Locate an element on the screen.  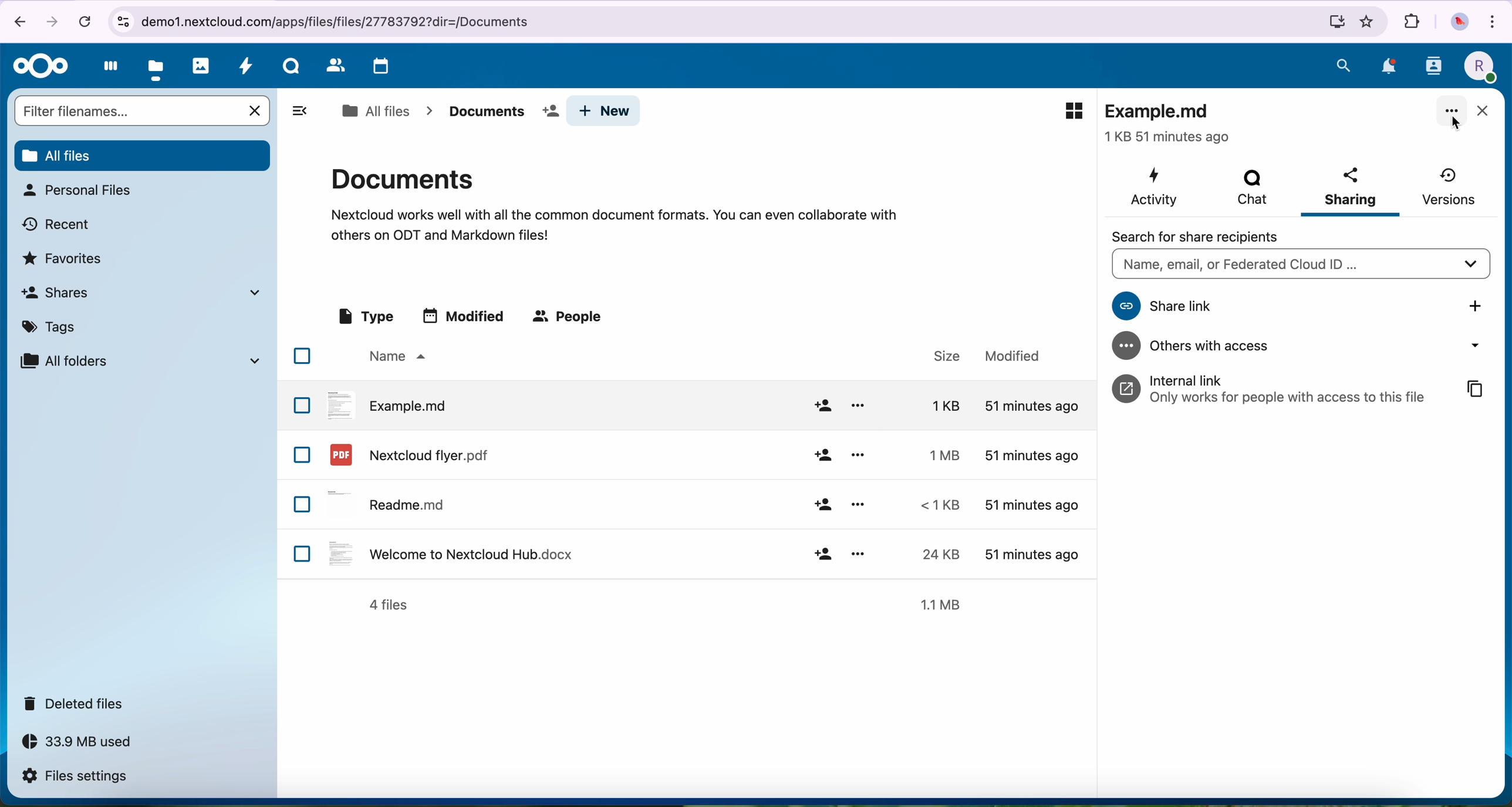
size is located at coordinates (940, 356).